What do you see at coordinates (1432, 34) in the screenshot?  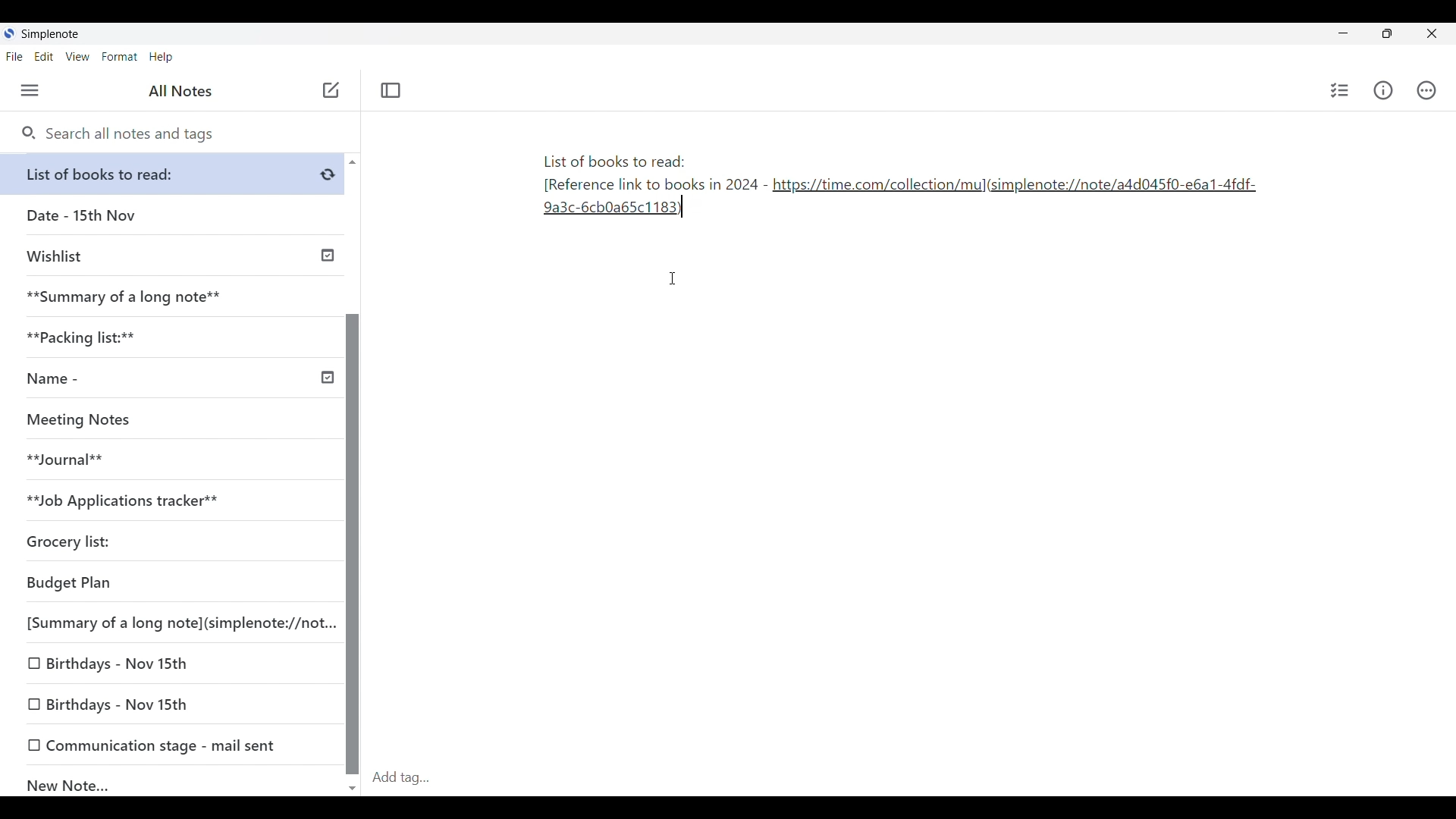 I see `Close` at bounding box center [1432, 34].